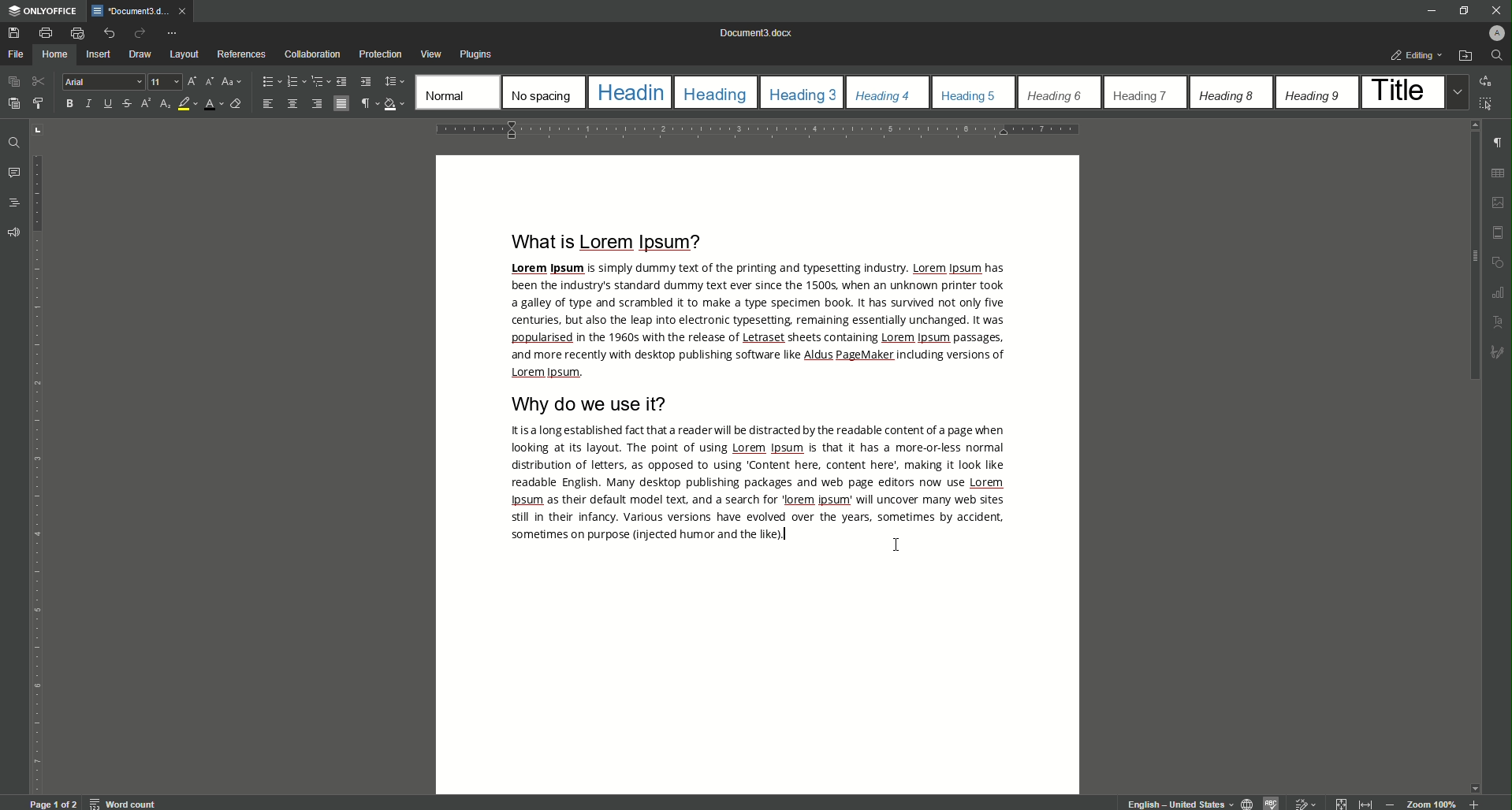 The image size is (1512, 810). Describe the element at coordinates (139, 12) in the screenshot. I see `Document )` at that location.